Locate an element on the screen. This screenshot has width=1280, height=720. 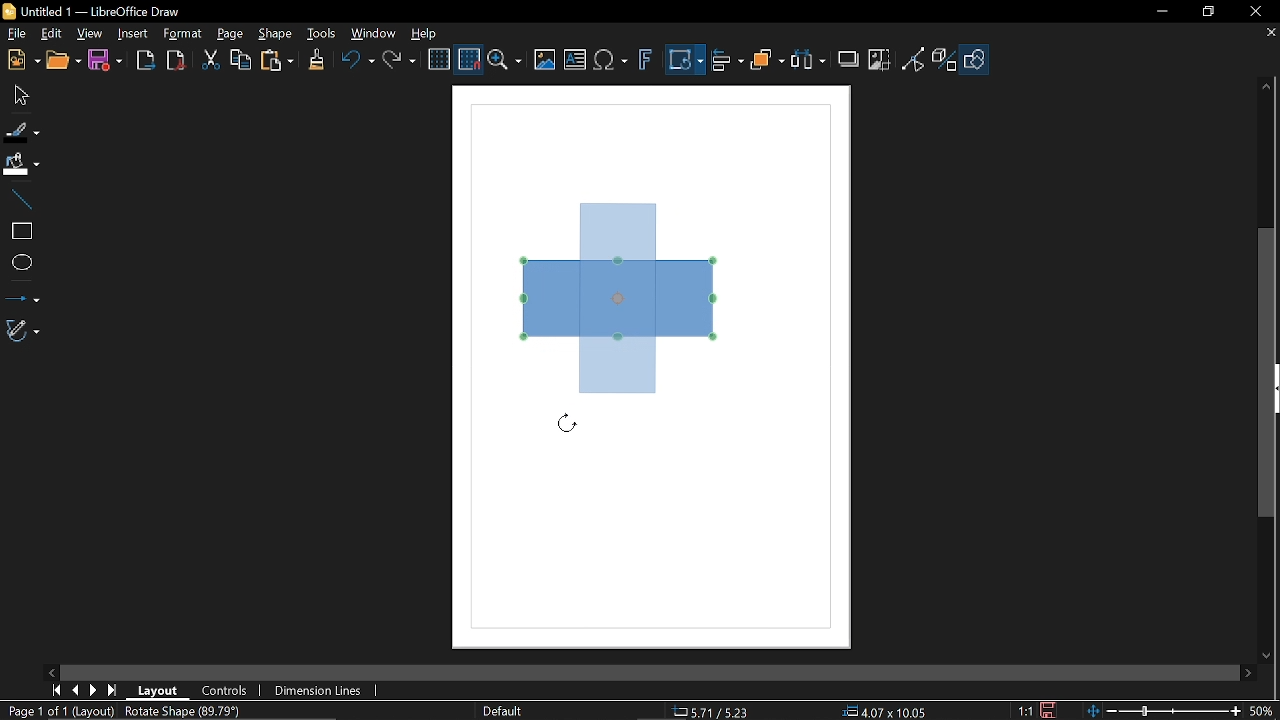
File is located at coordinates (16, 34).